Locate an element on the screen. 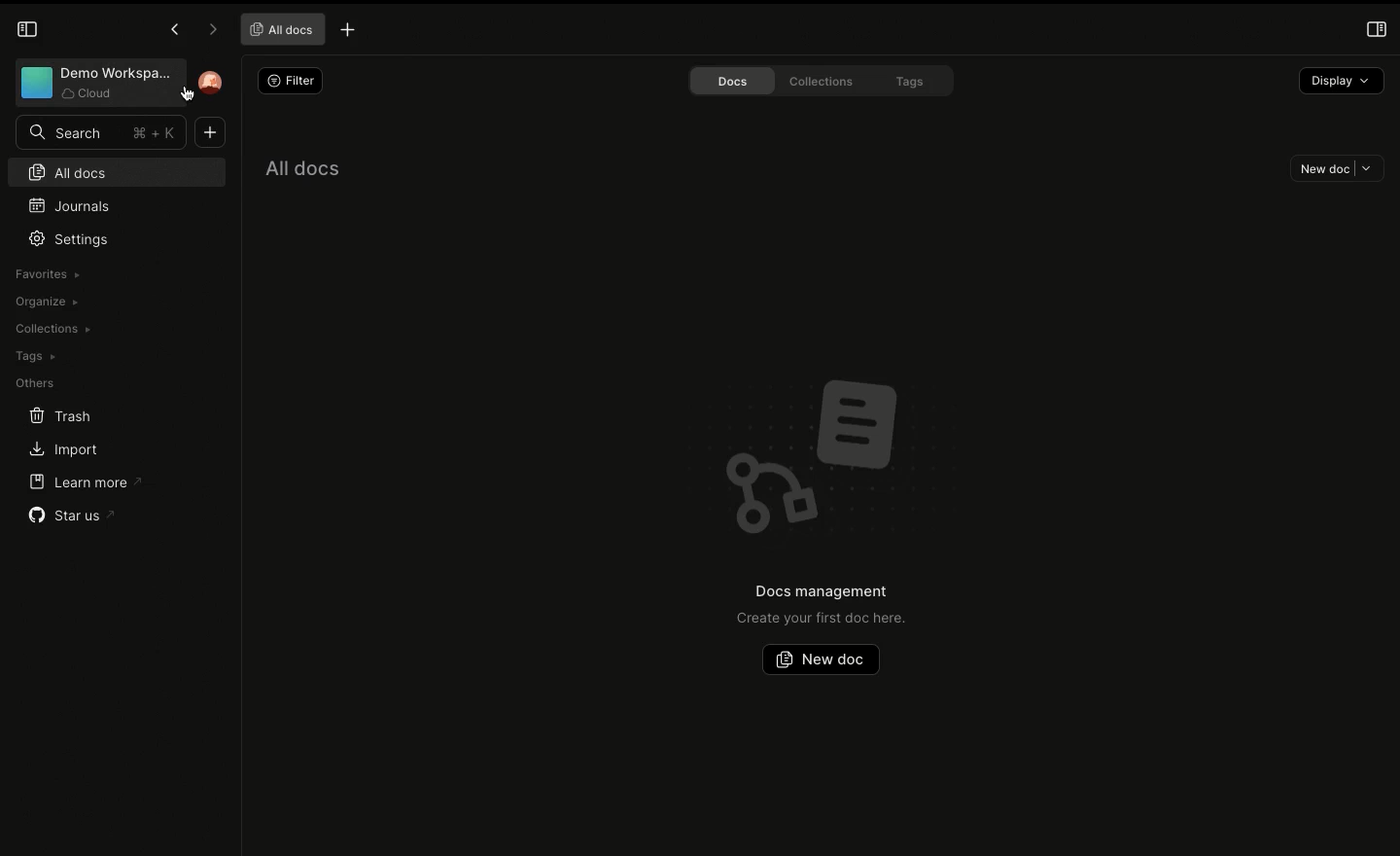  Organize is located at coordinates (49, 301).